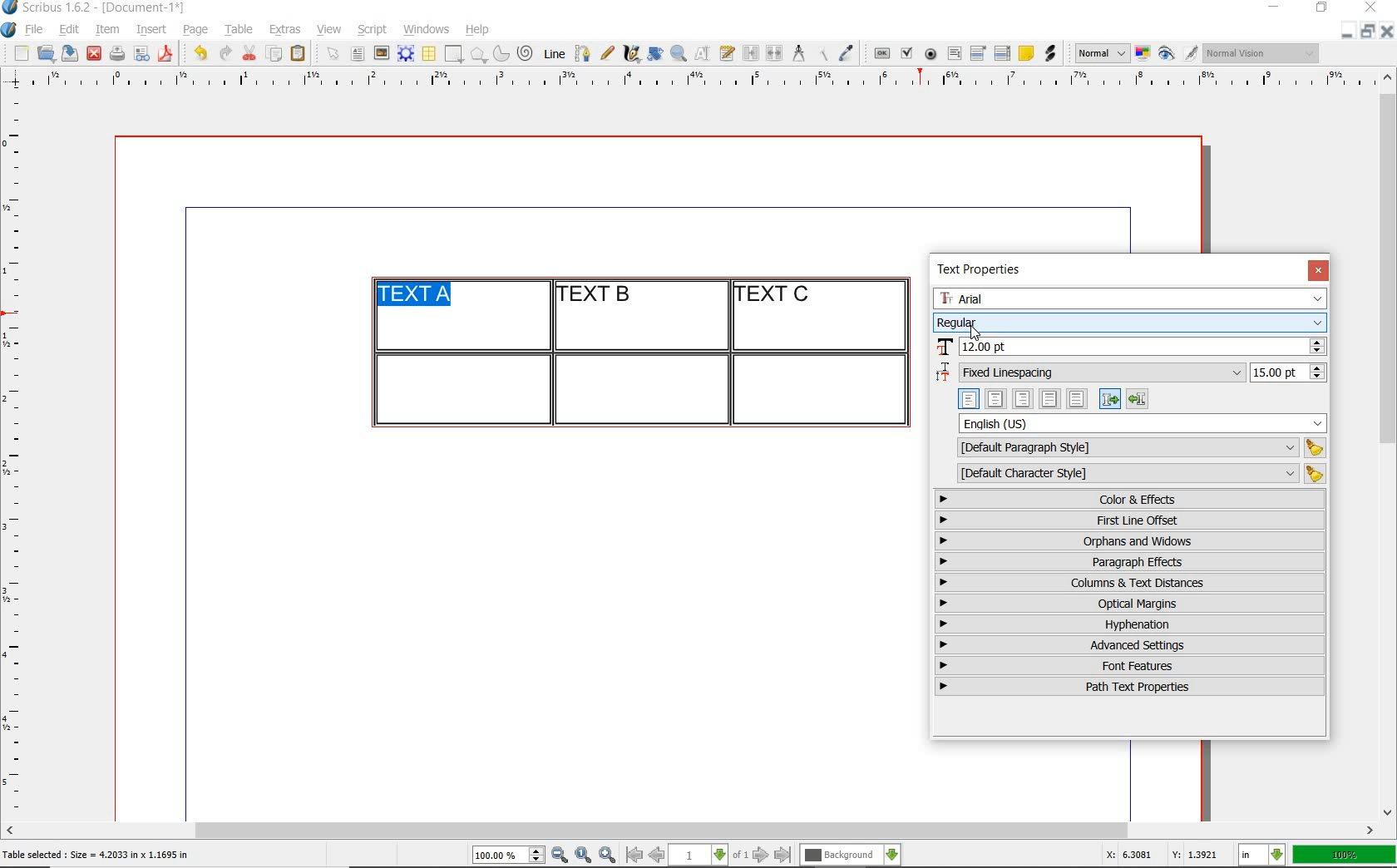  I want to click on pdf radio button, so click(931, 56).